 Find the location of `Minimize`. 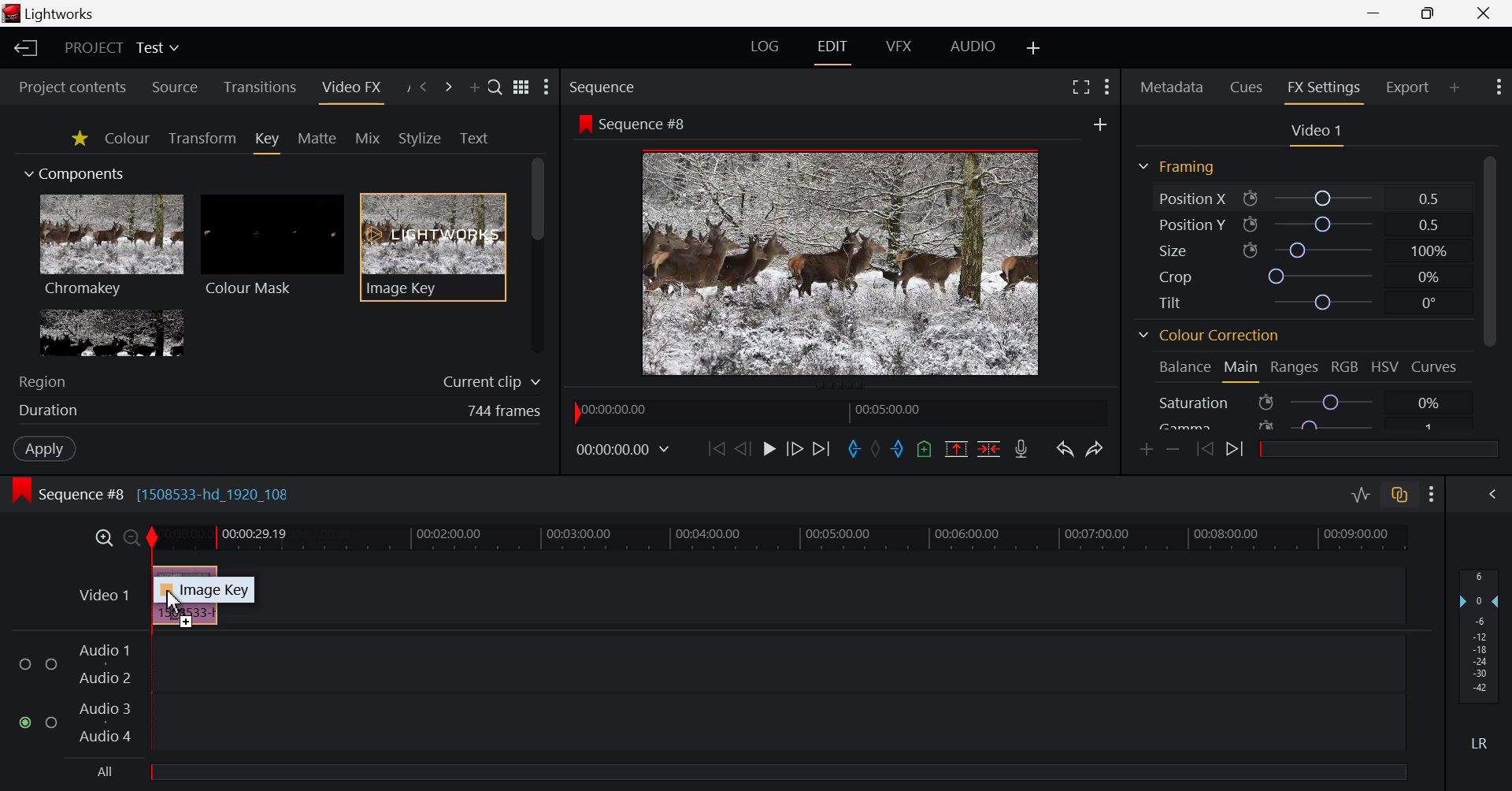

Minimize is located at coordinates (1428, 13).